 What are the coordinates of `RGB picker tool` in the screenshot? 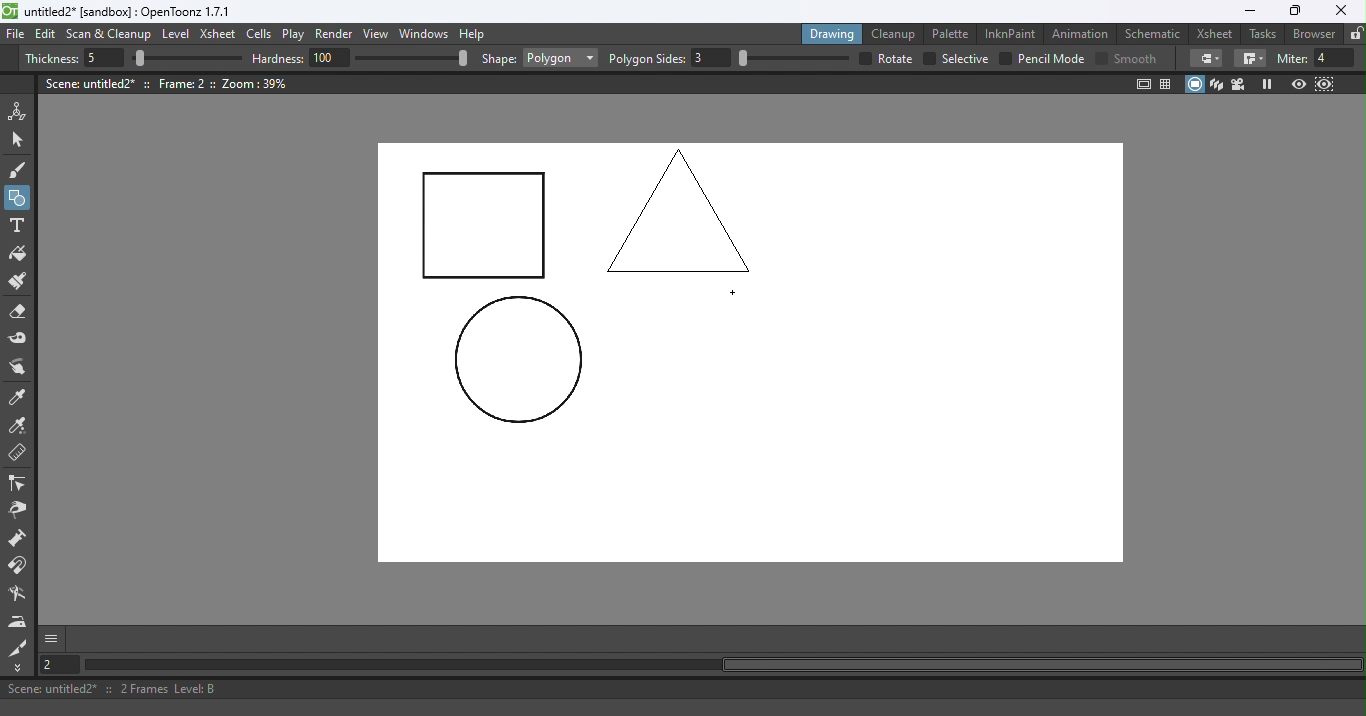 It's located at (21, 427).